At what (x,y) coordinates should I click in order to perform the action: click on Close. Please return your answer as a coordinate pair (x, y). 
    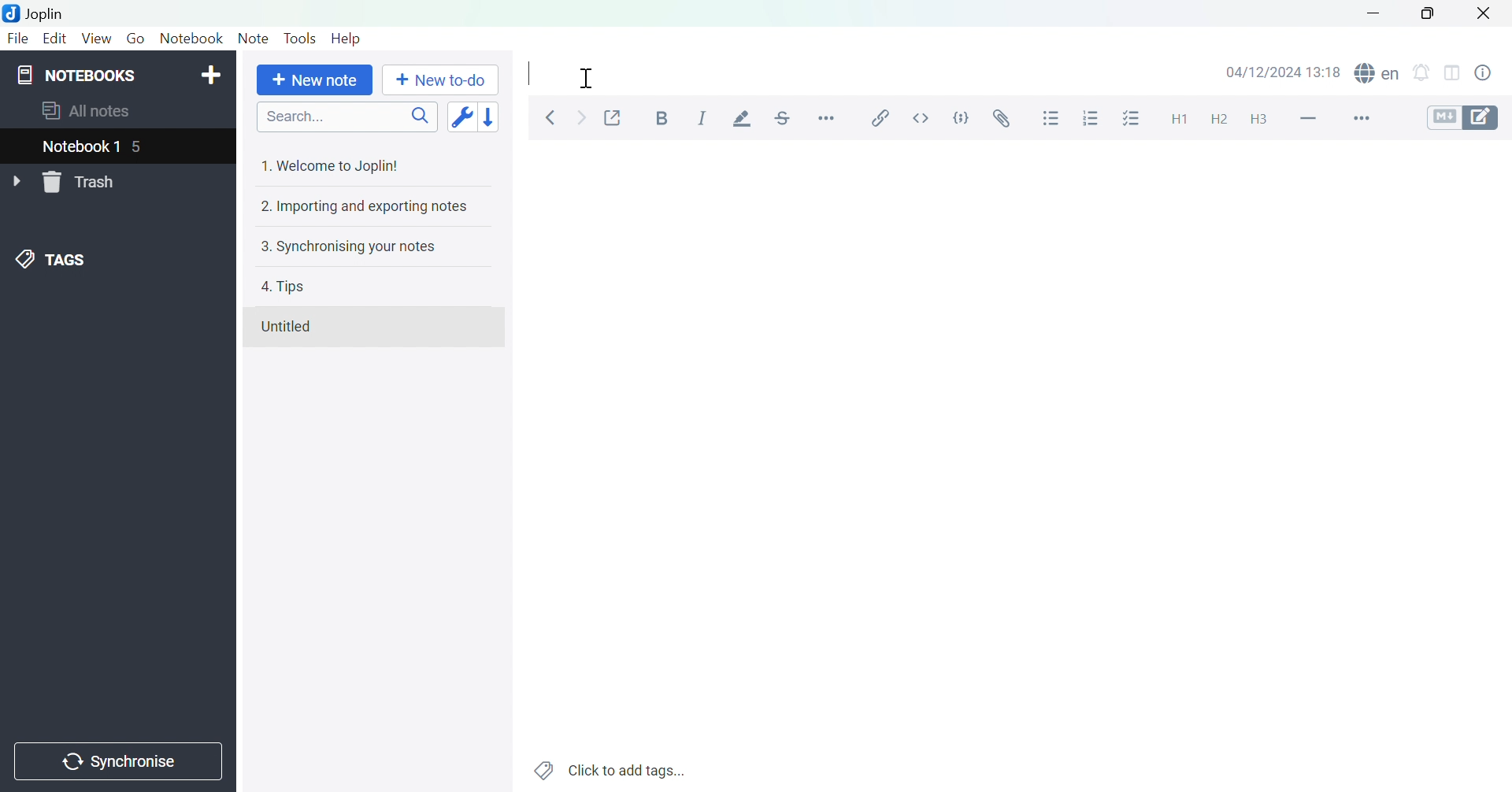
    Looking at the image, I should click on (1484, 13).